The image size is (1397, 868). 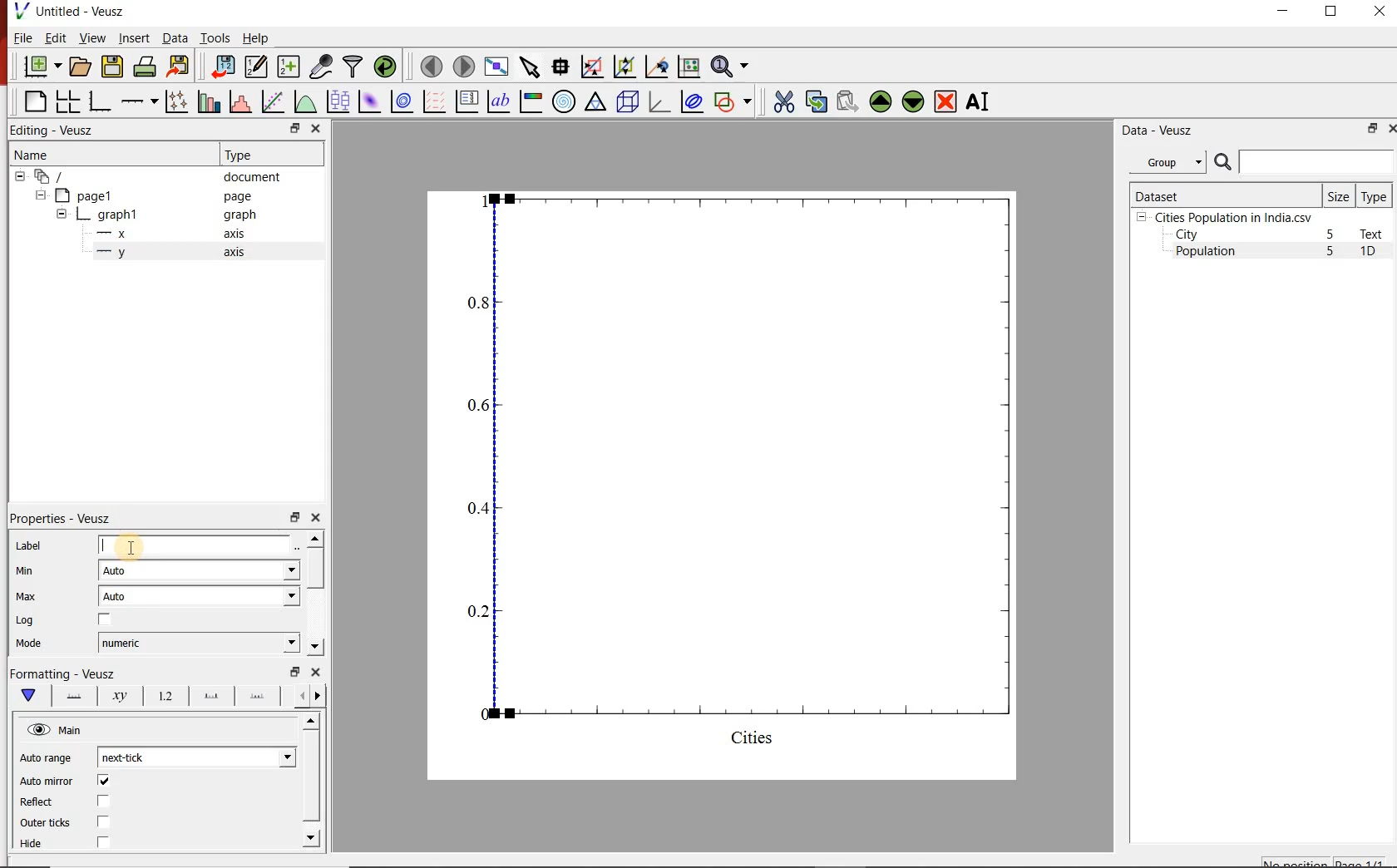 What do you see at coordinates (94, 154) in the screenshot?
I see `Name` at bounding box center [94, 154].